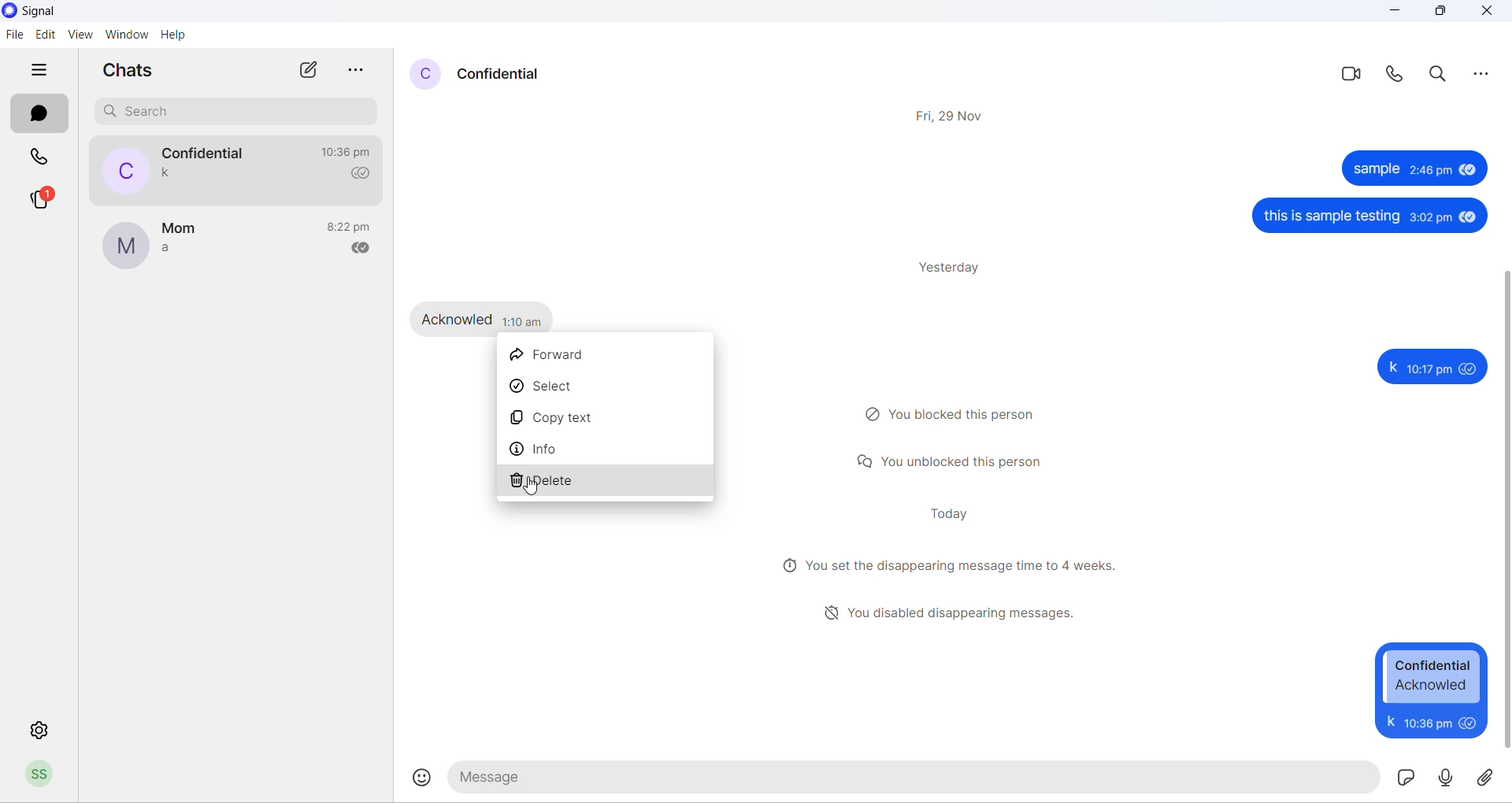  I want to click on disappearing message notification, so click(951, 564).